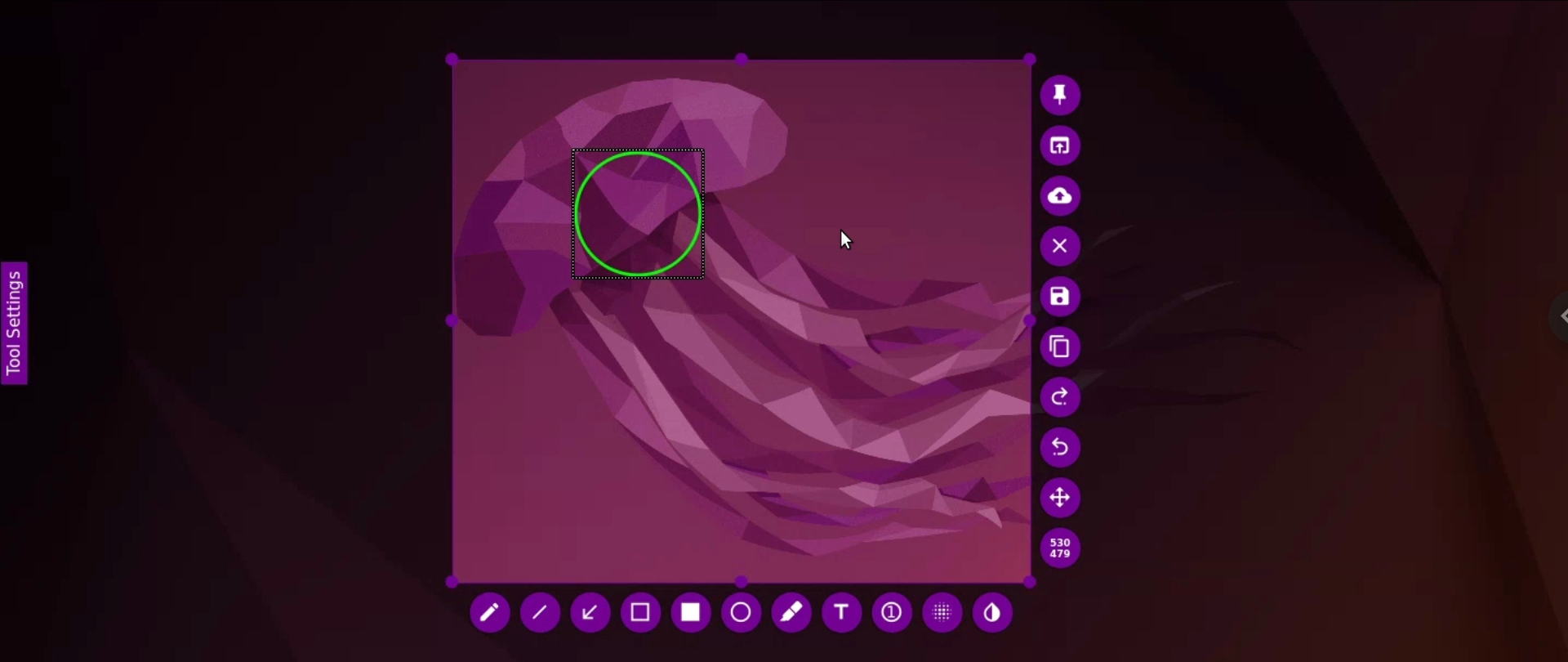  I want to click on copy, so click(1060, 347).